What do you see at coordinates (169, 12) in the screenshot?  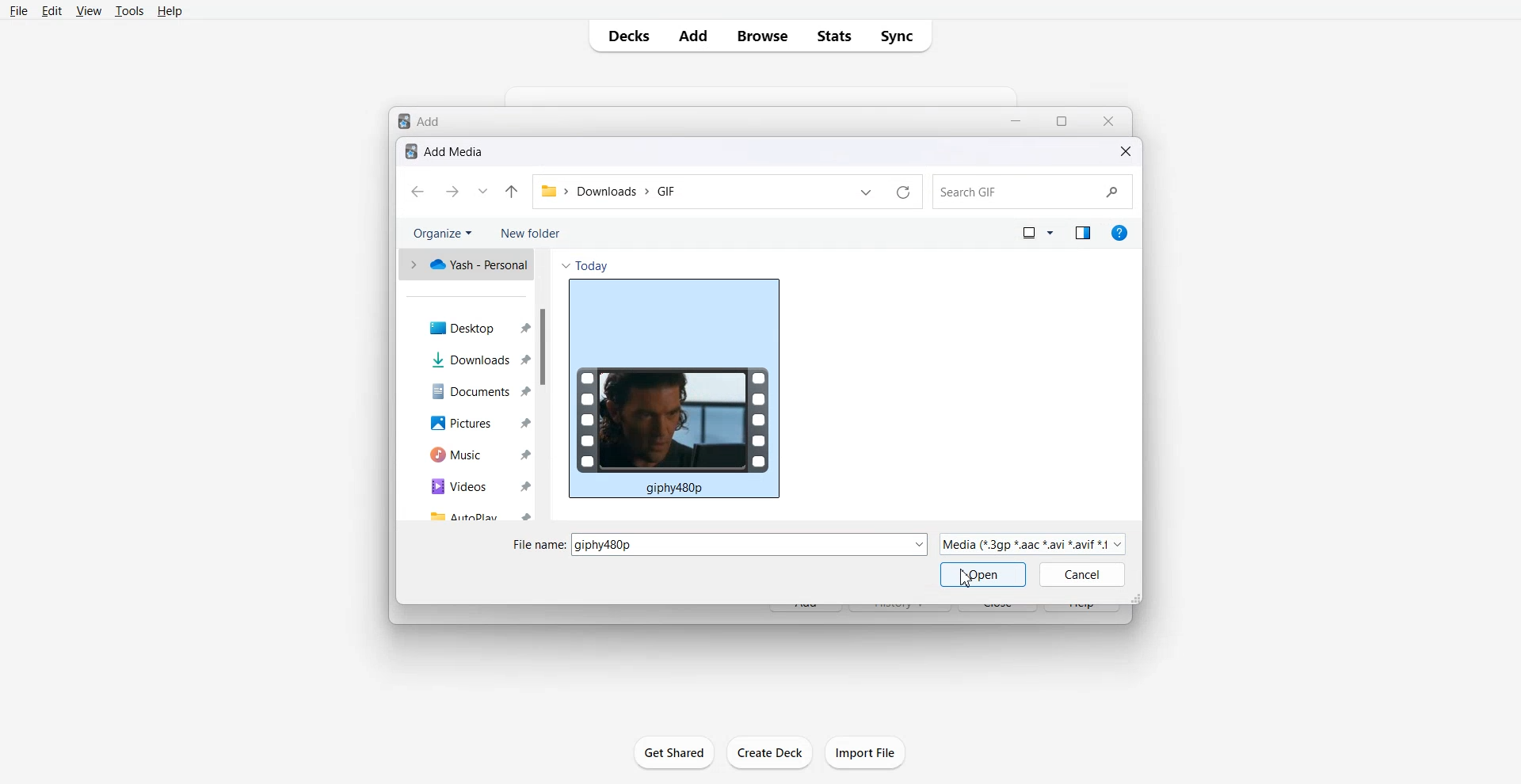 I see `Help` at bounding box center [169, 12].